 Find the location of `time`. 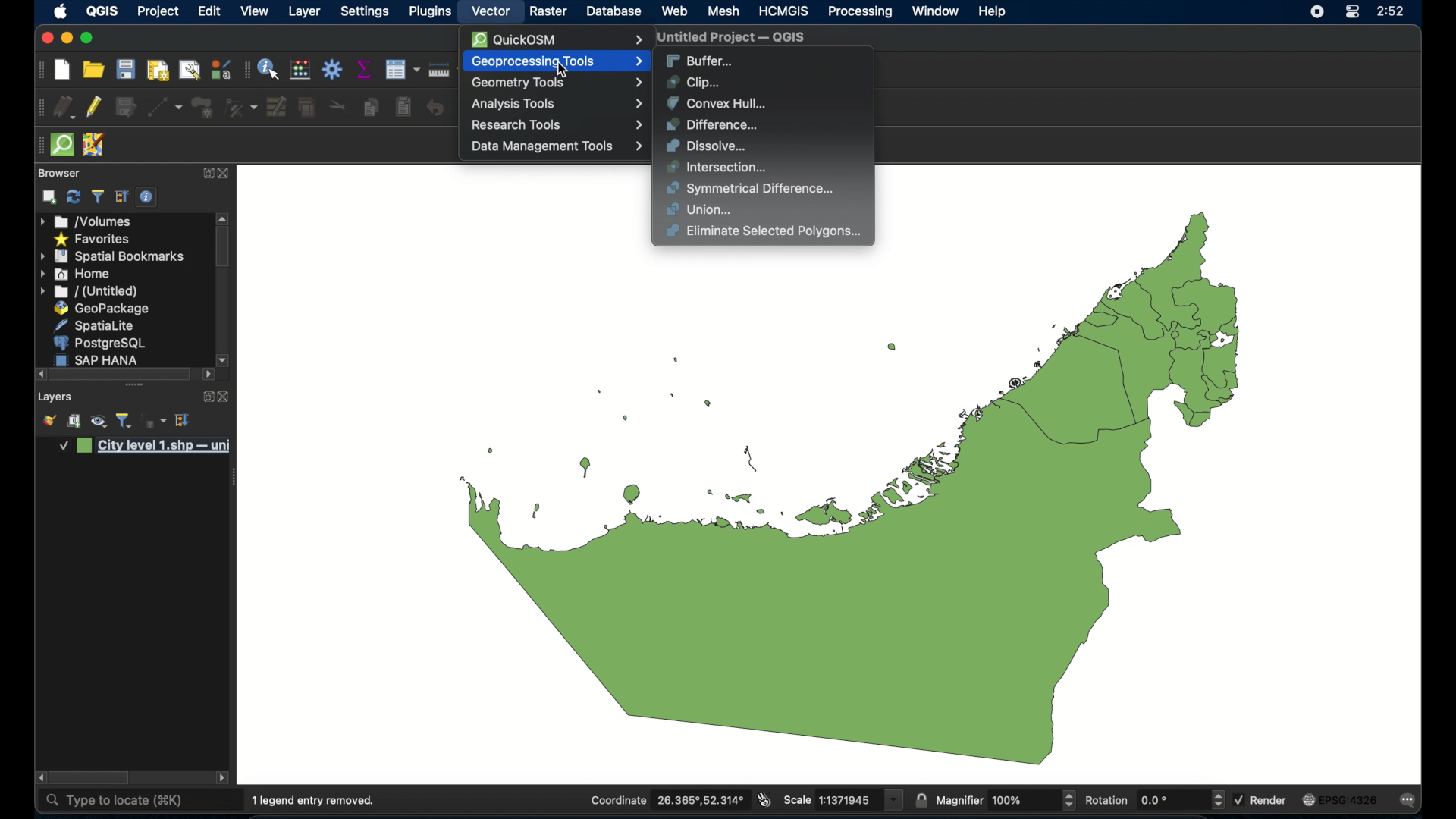

time is located at coordinates (1392, 12).